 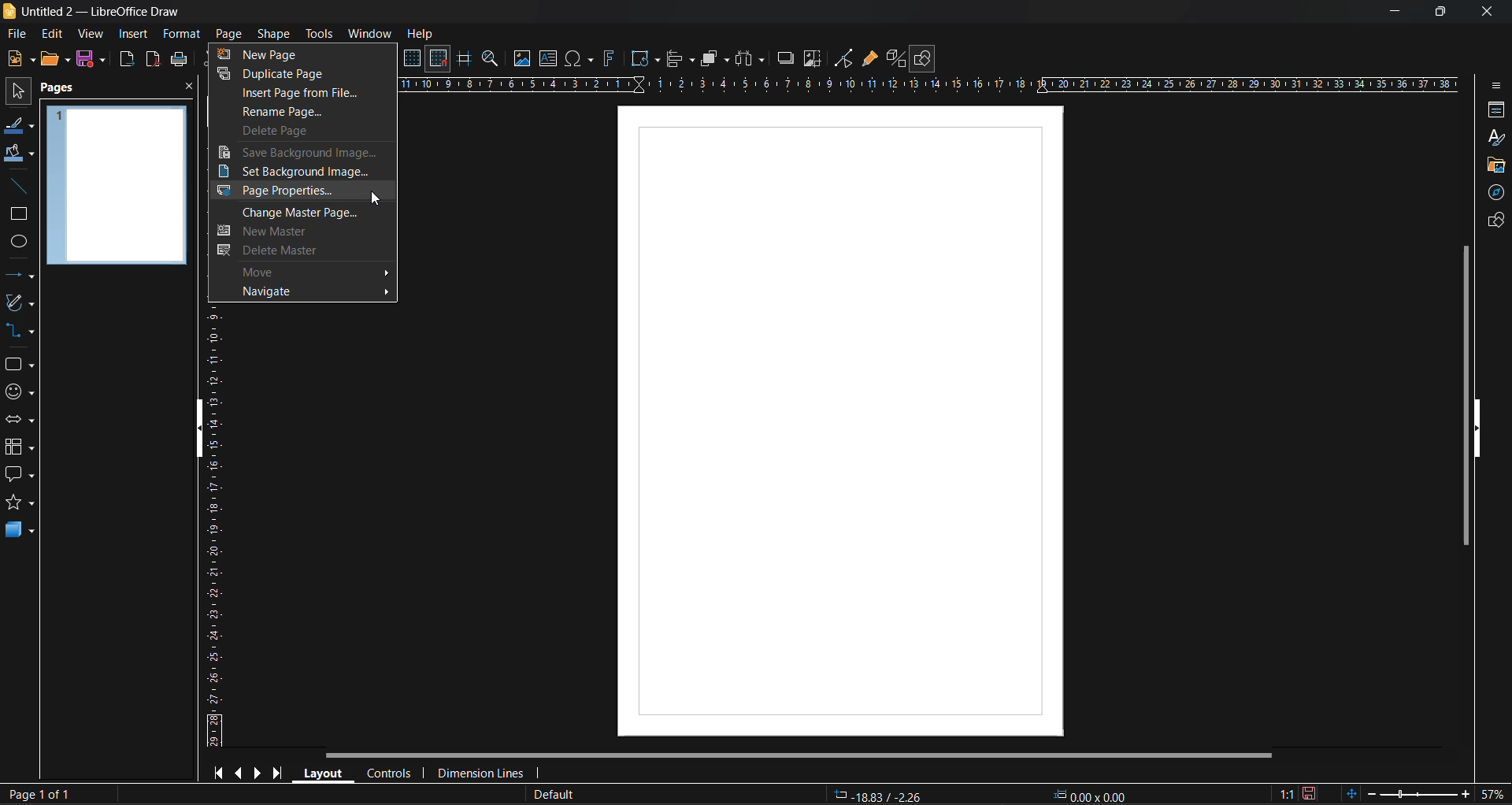 What do you see at coordinates (413, 58) in the screenshot?
I see `display grid` at bounding box center [413, 58].